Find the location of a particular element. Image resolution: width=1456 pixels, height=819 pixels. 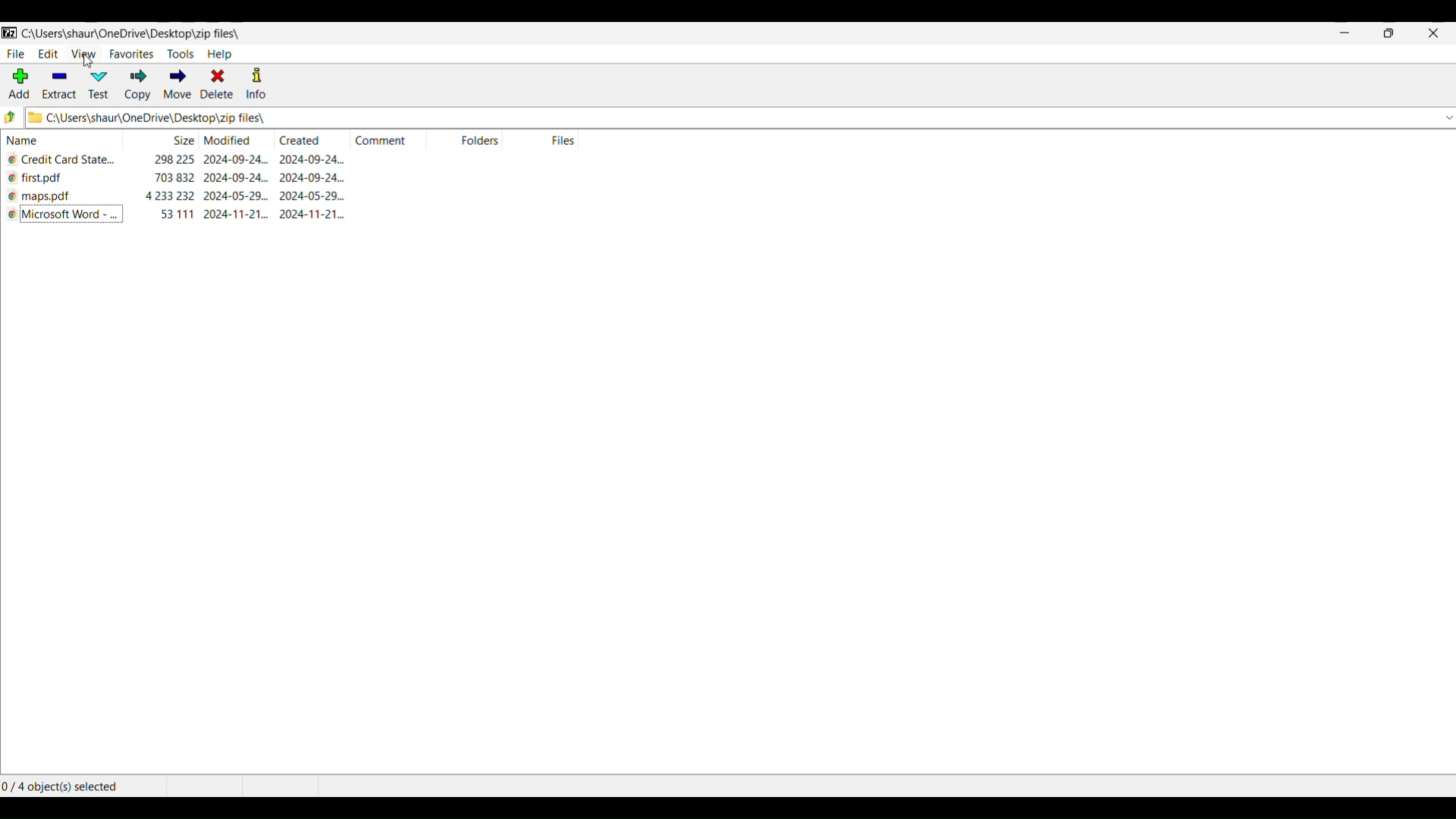

add is located at coordinates (17, 83).